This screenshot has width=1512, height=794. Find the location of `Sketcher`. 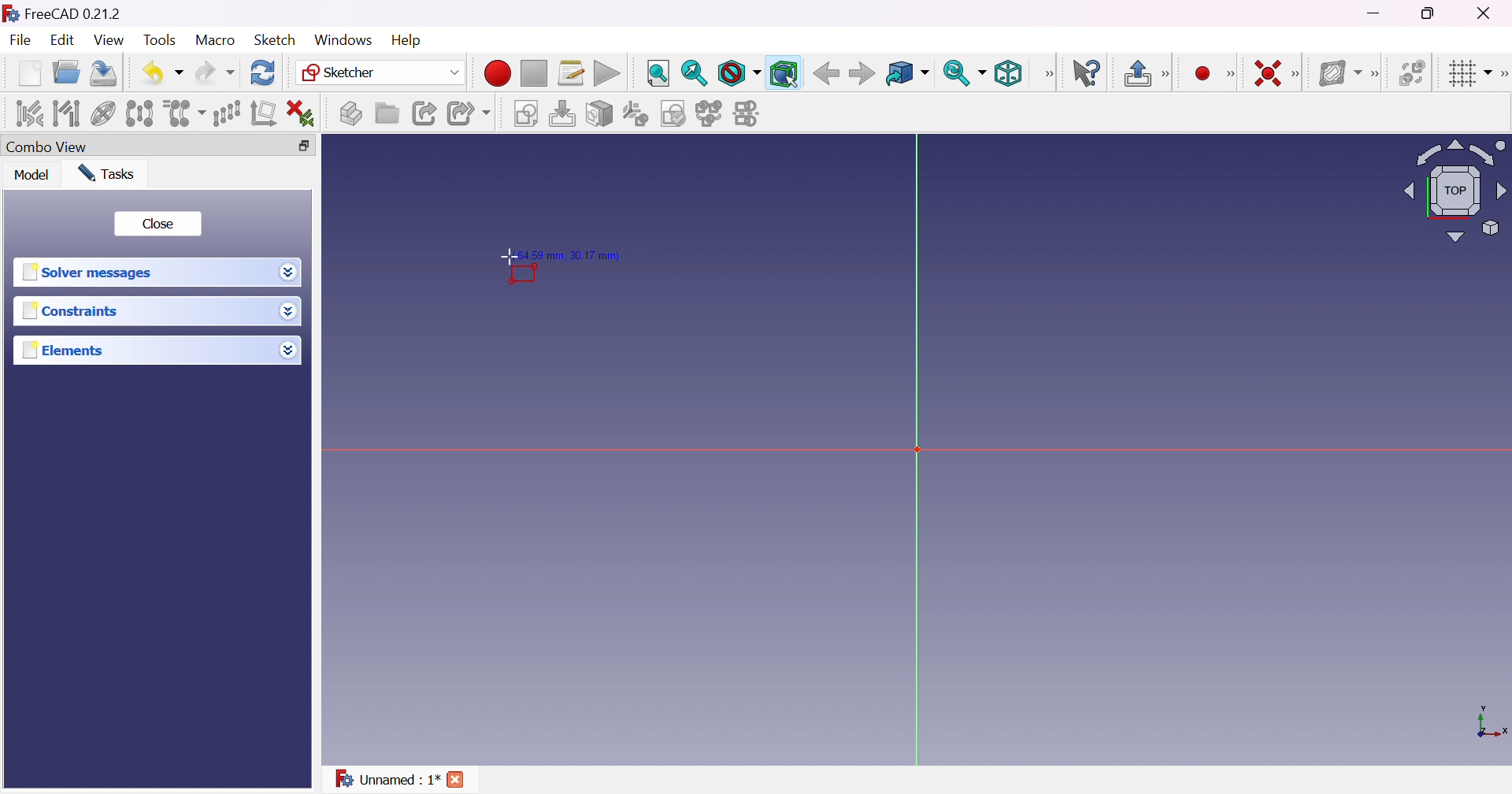

Sketcher is located at coordinates (383, 71).